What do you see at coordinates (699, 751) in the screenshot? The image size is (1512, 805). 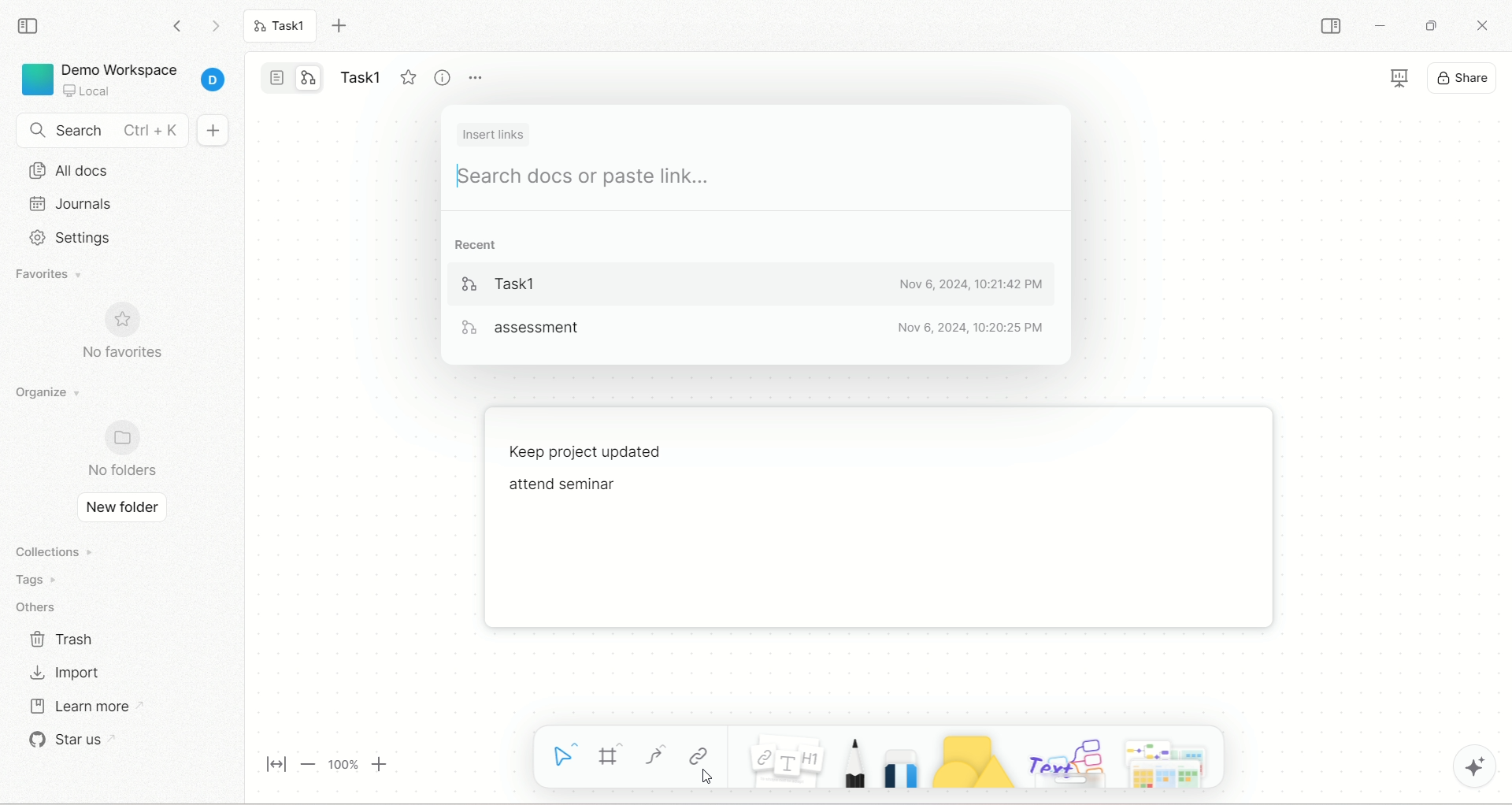 I see `link` at bounding box center [699, 751].